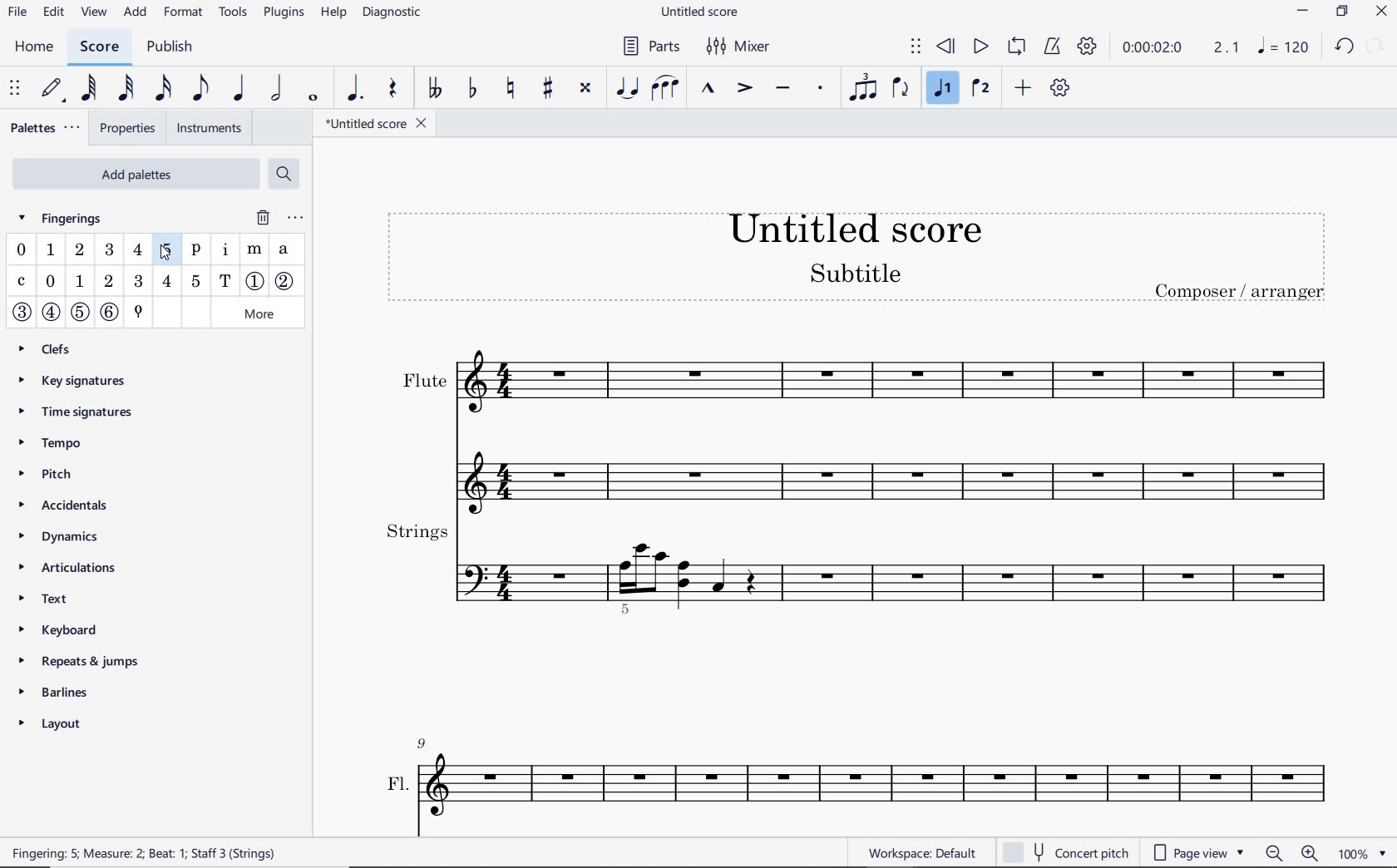 The width and height of the screenshot is (1397, 868). Describe the element at coordinates (225, 281) in the screenshot. I see `LH GUITAR FINGERING T` at that location.